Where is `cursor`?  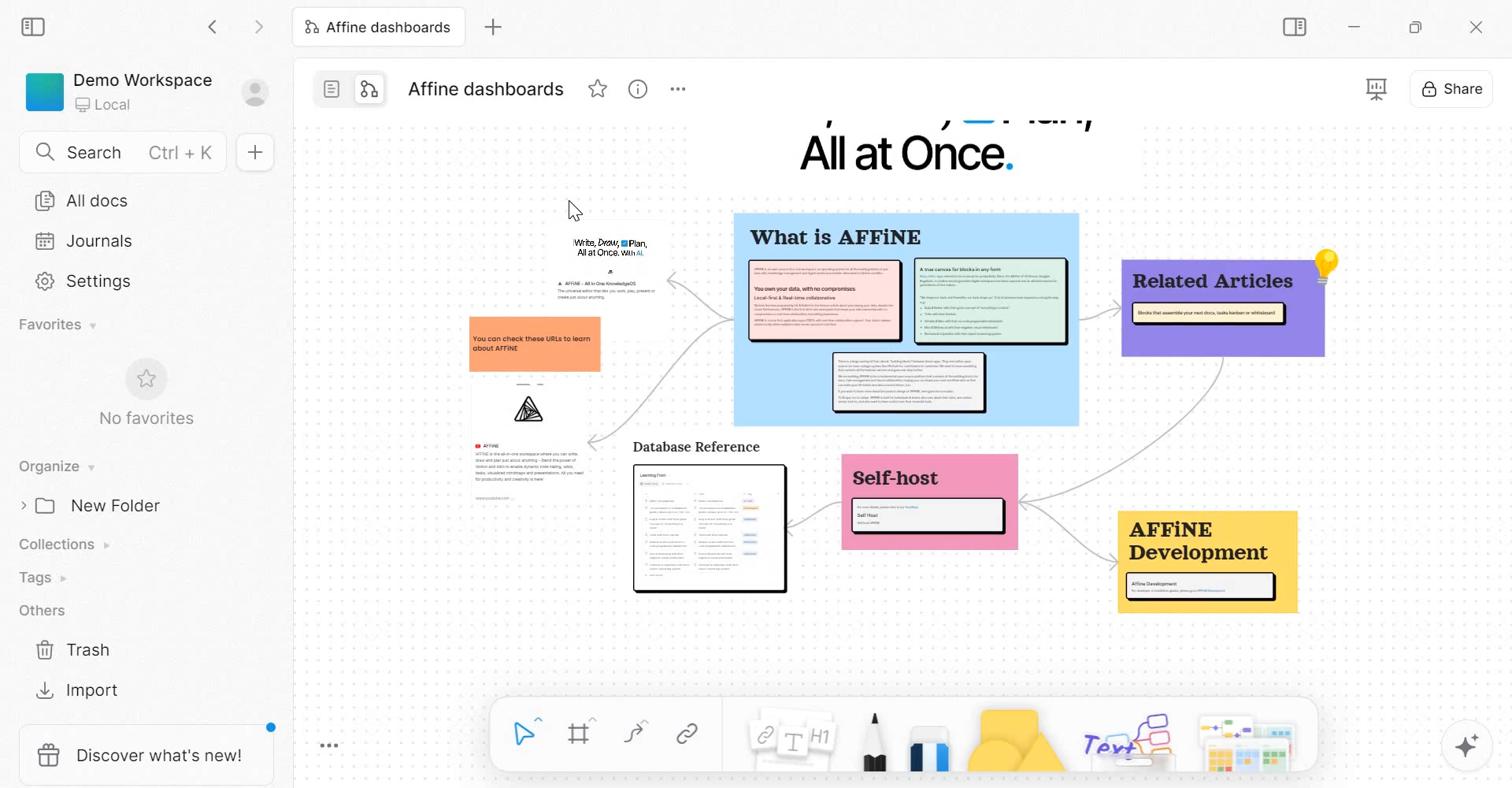 cursor is located at coordinates (573, 210).